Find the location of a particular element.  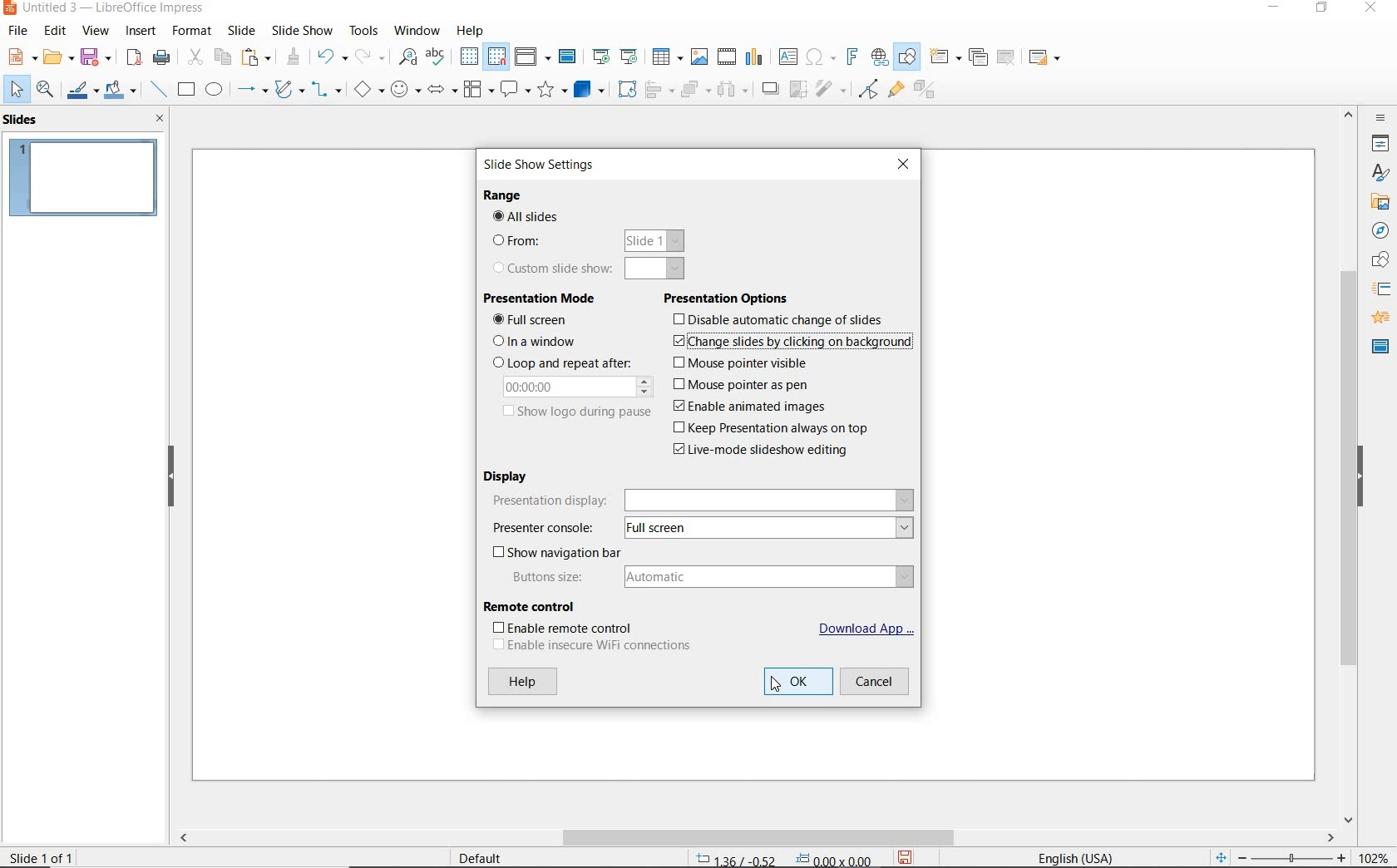

00.00.00 is located at coordinates (577, 386).